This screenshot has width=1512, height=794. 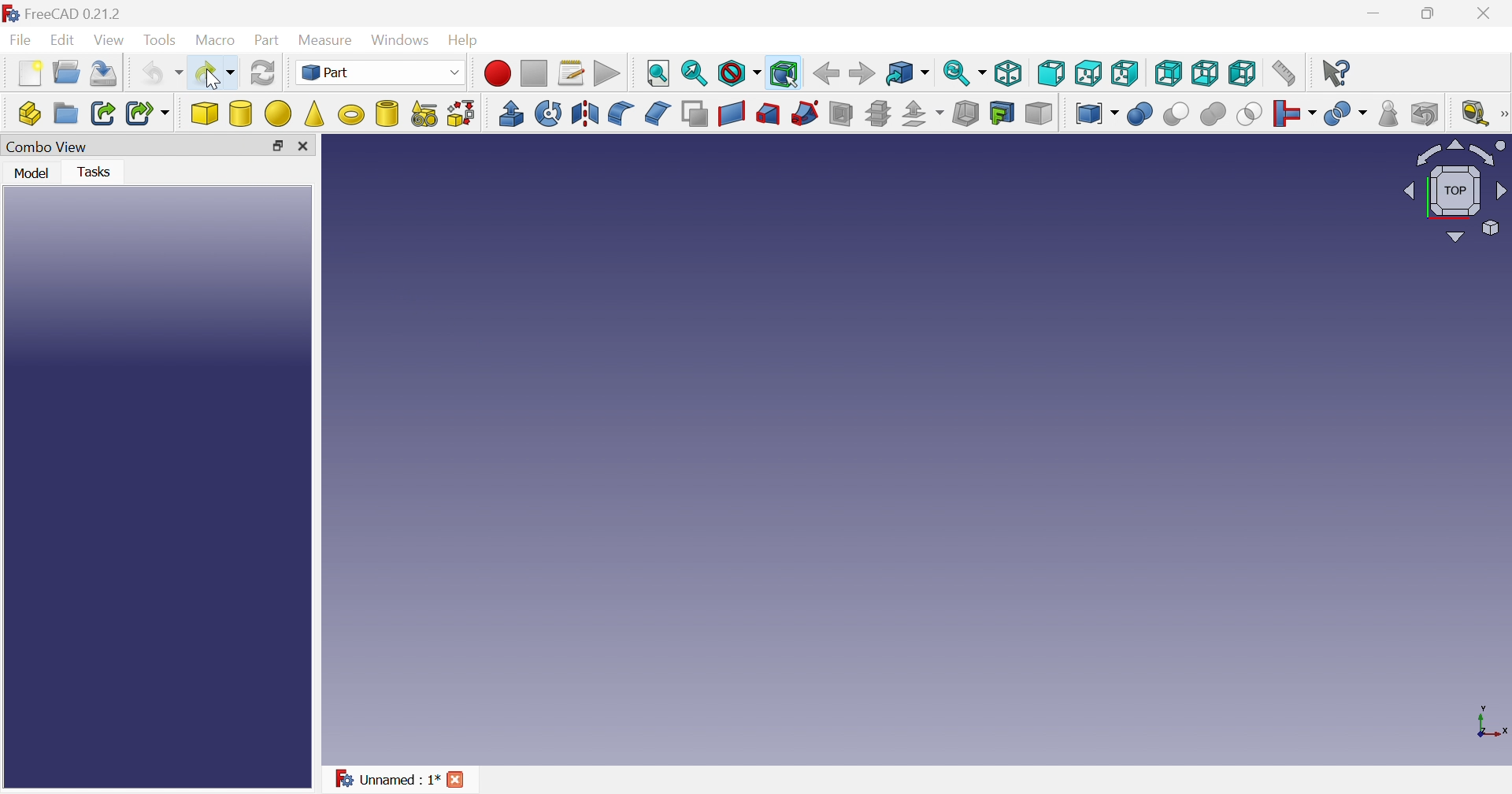 I want to click on Back, so click(x=827, y=73).